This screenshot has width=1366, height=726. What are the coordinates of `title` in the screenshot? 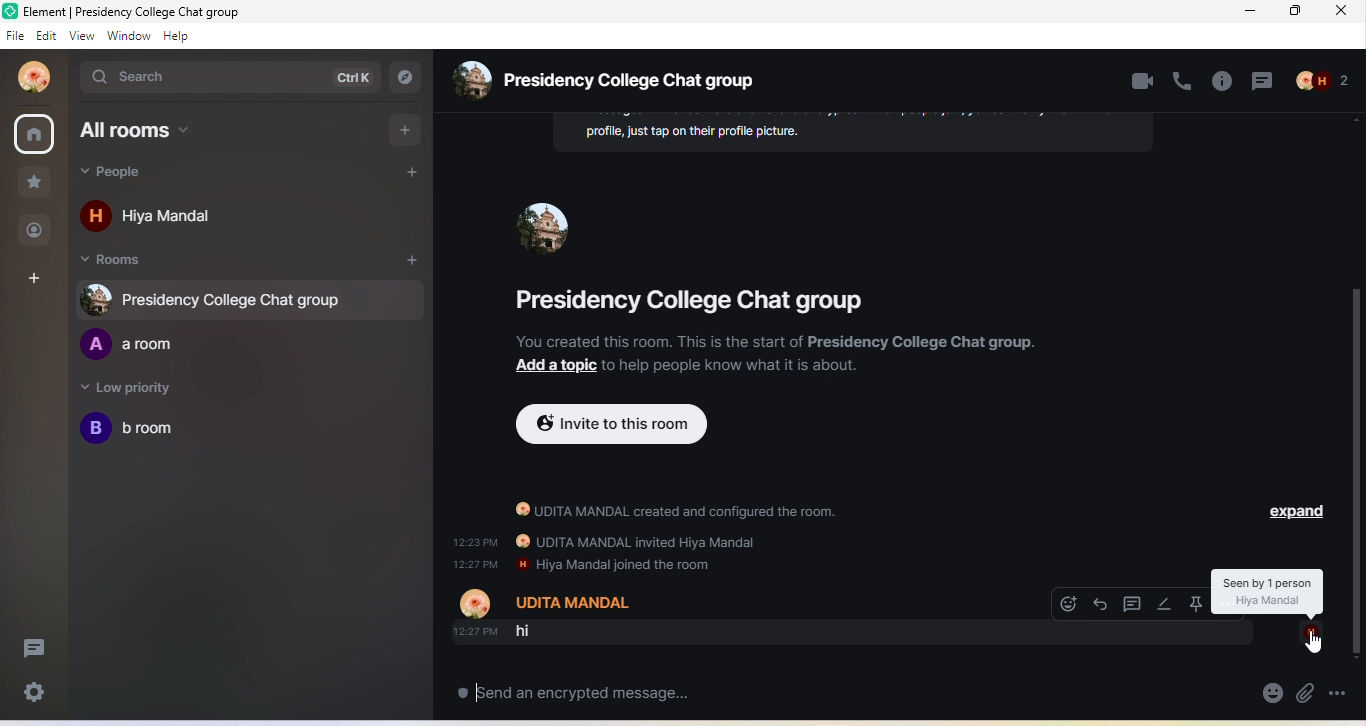 It's located at (150, 12).